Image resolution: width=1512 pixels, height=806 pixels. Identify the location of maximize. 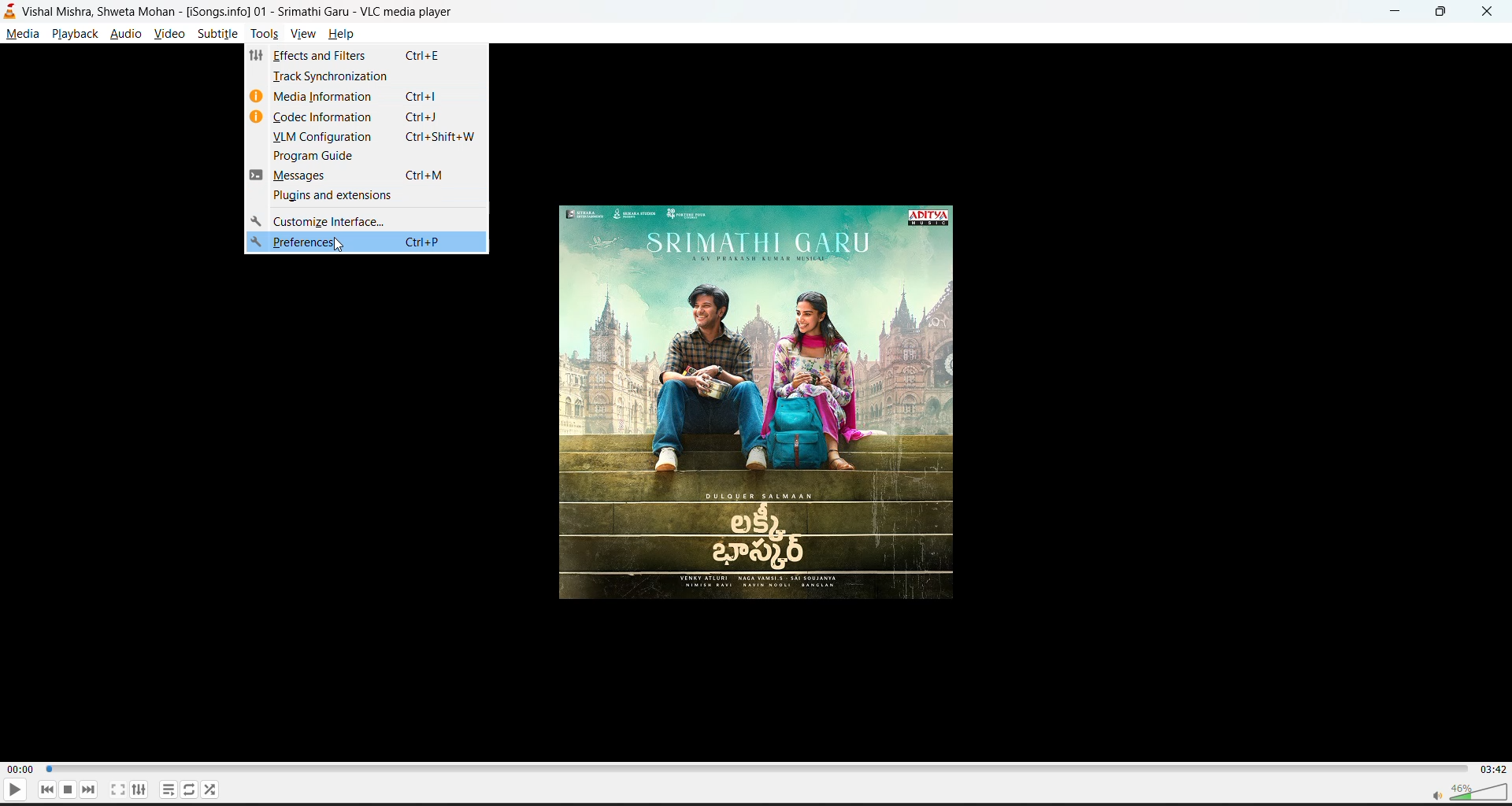
(1444, 12).